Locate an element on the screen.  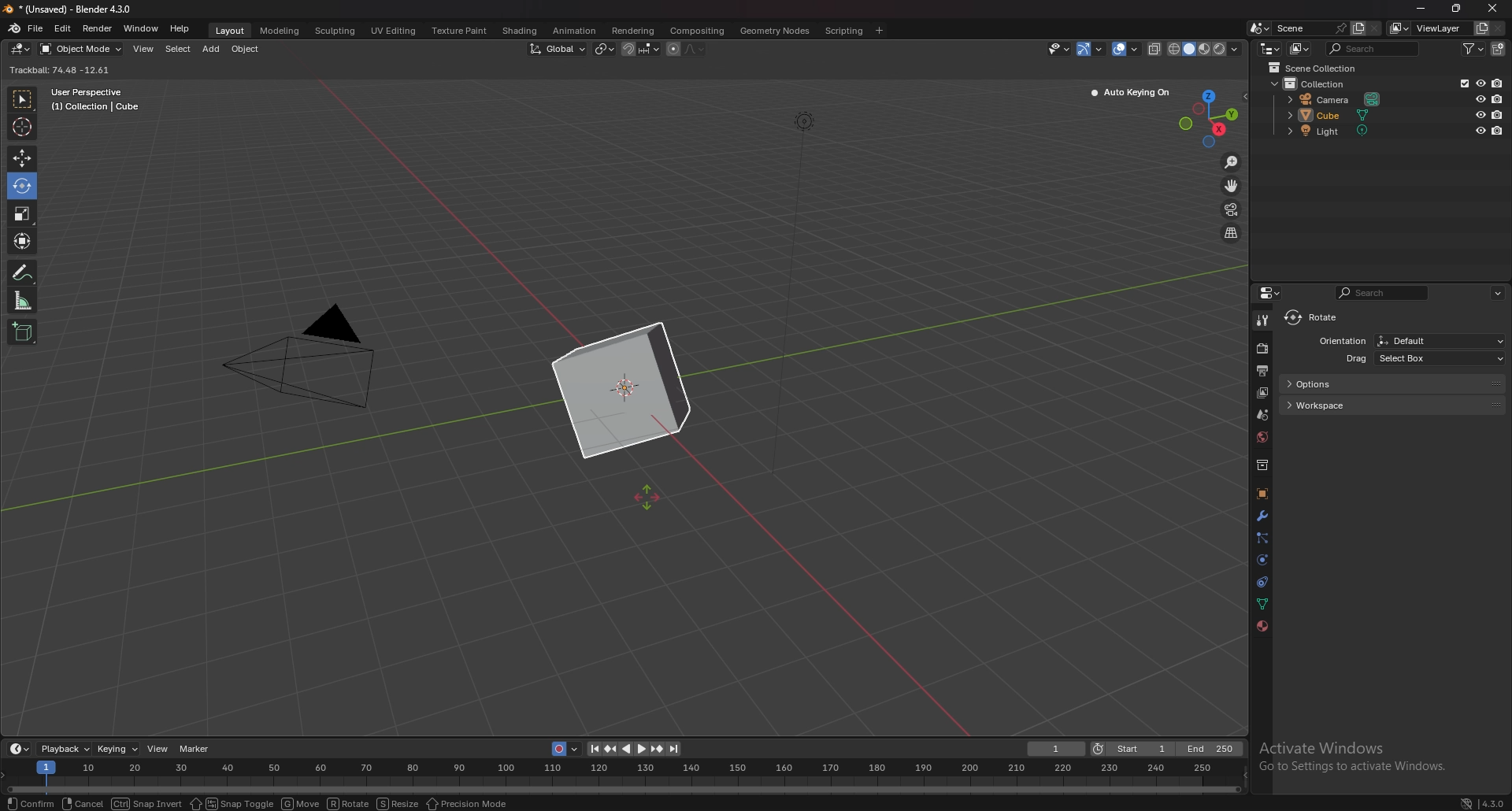
auto key recording is located at coordinates (562, 749).